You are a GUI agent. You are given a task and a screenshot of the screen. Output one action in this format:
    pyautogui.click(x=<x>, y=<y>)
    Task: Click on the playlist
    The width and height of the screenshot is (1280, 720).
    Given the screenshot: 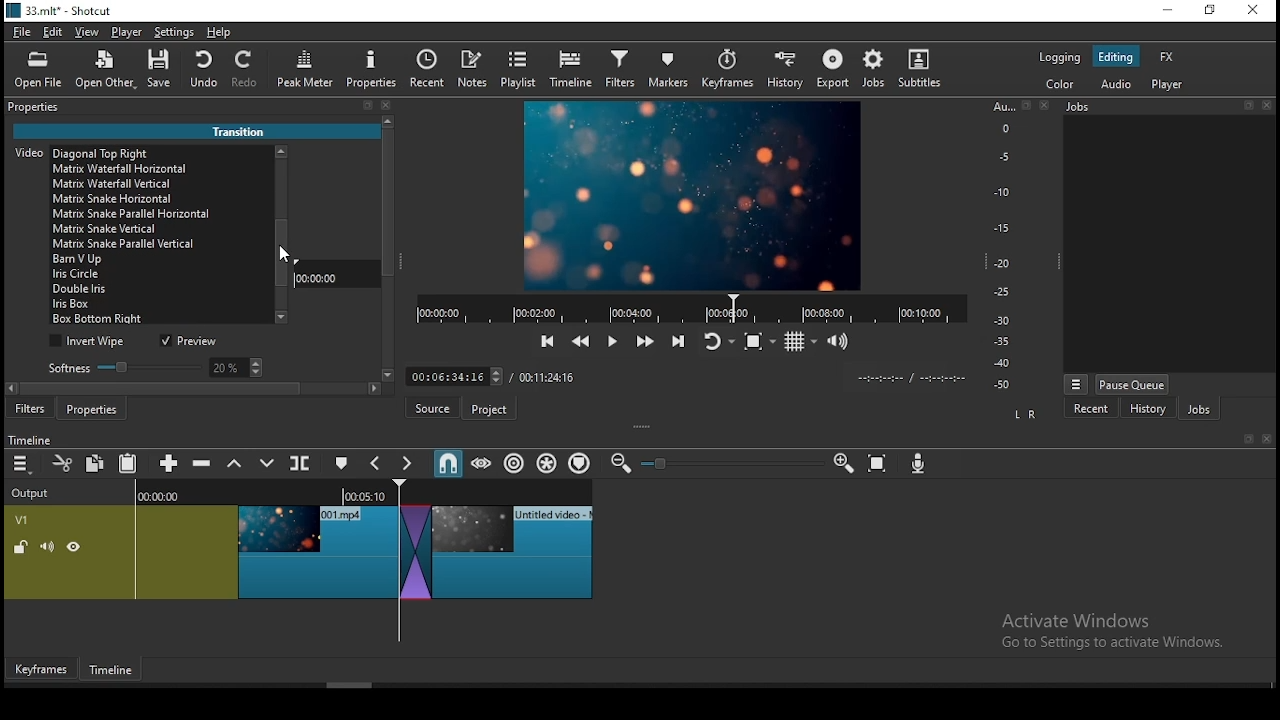 What is the action you would take?
    pyautogui.click(x=520, y=70)
    